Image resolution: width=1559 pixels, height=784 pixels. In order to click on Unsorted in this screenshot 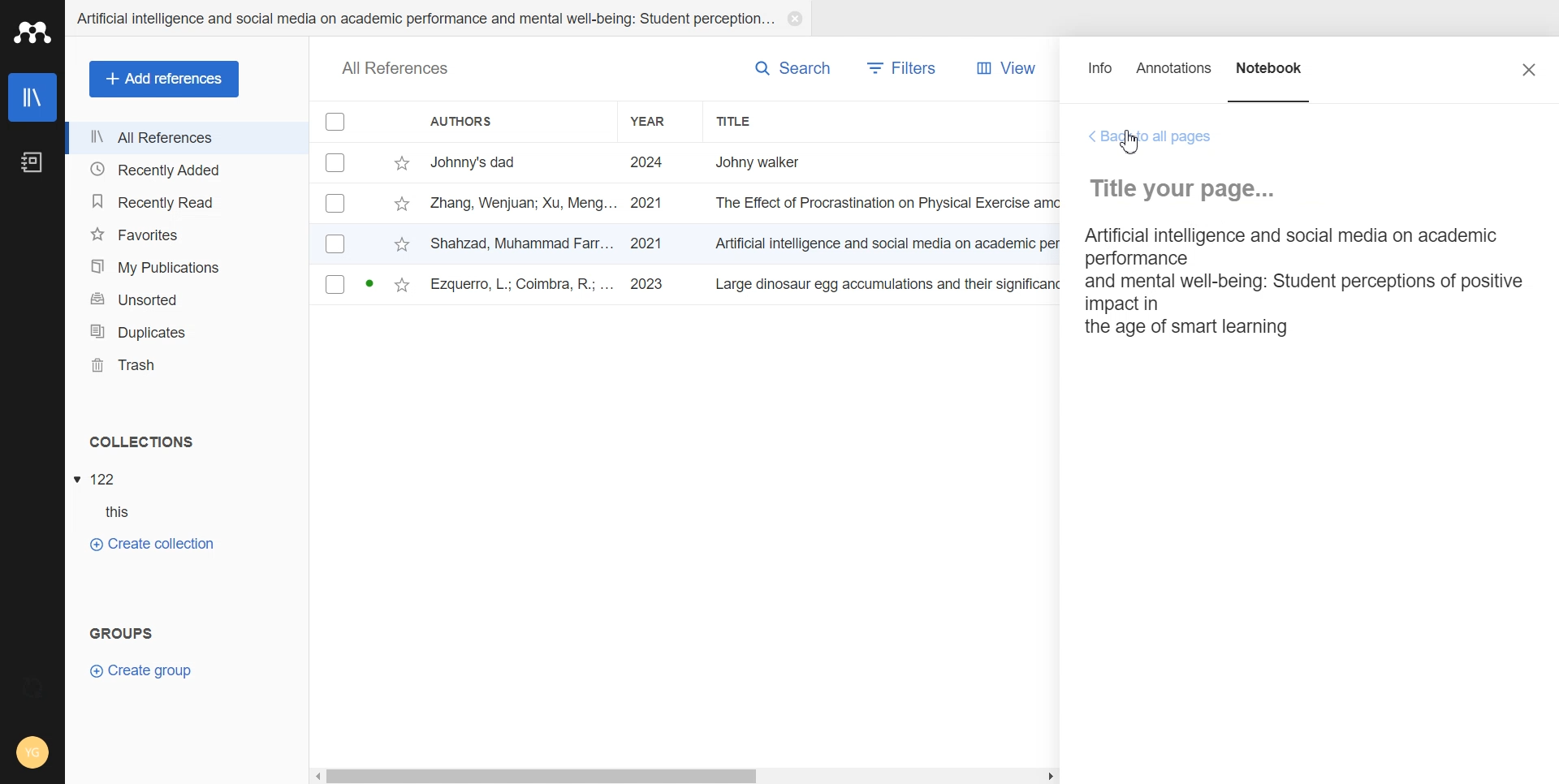, I will do `click(187, 299)`.